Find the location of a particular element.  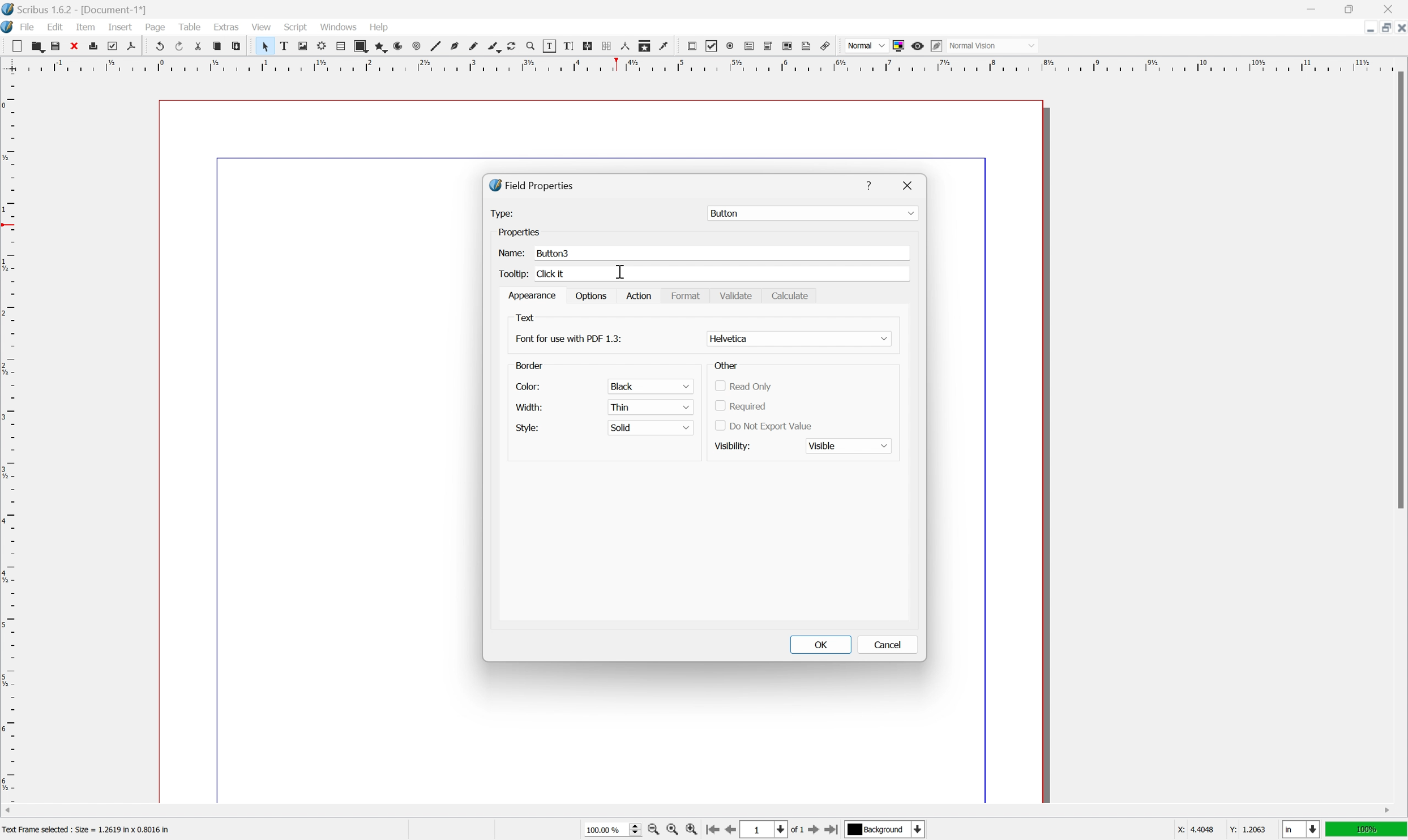

border is located at coordinates (530, 364).